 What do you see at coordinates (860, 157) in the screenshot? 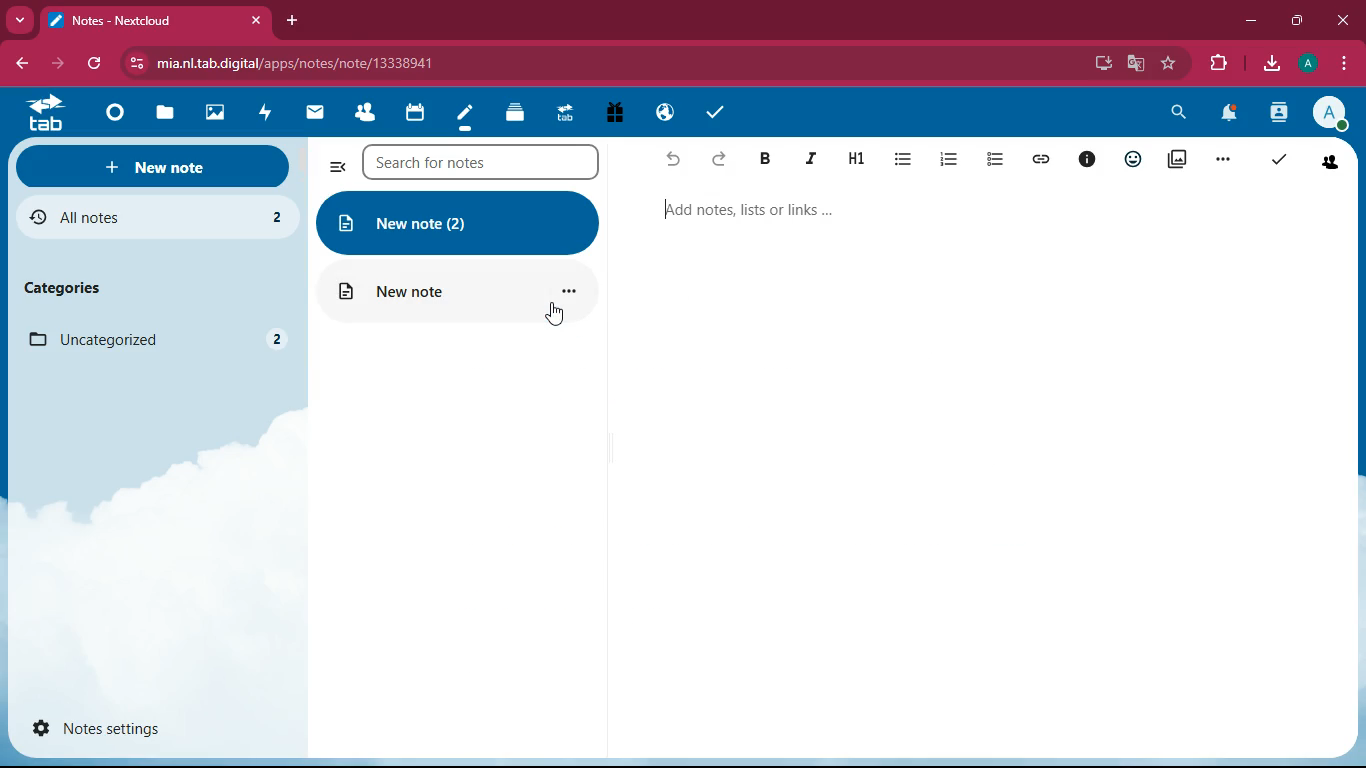
I see `h1` at bounding box center [860, 157].